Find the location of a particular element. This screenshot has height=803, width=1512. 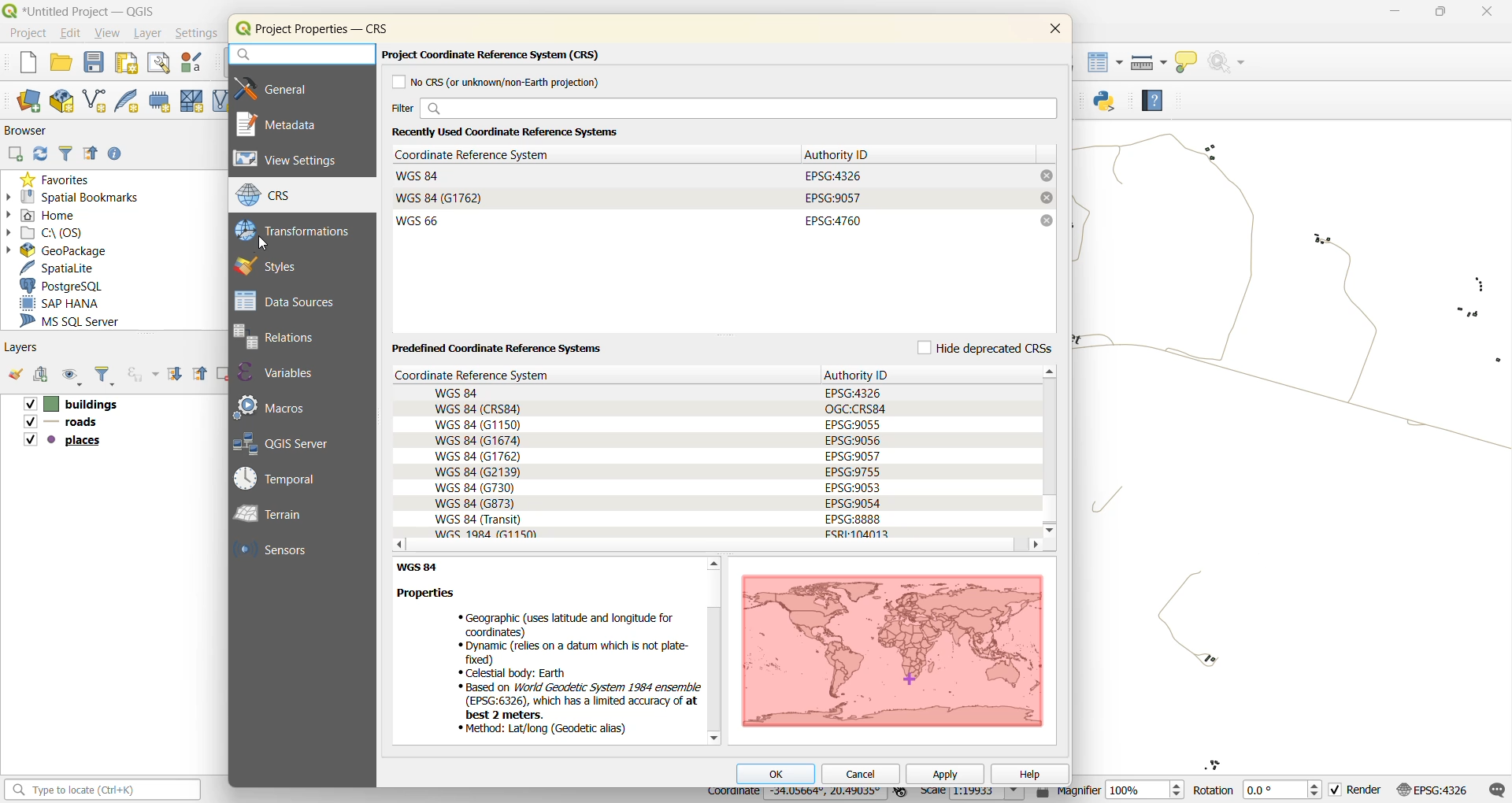

style manager is located at coordinates (190, 62).